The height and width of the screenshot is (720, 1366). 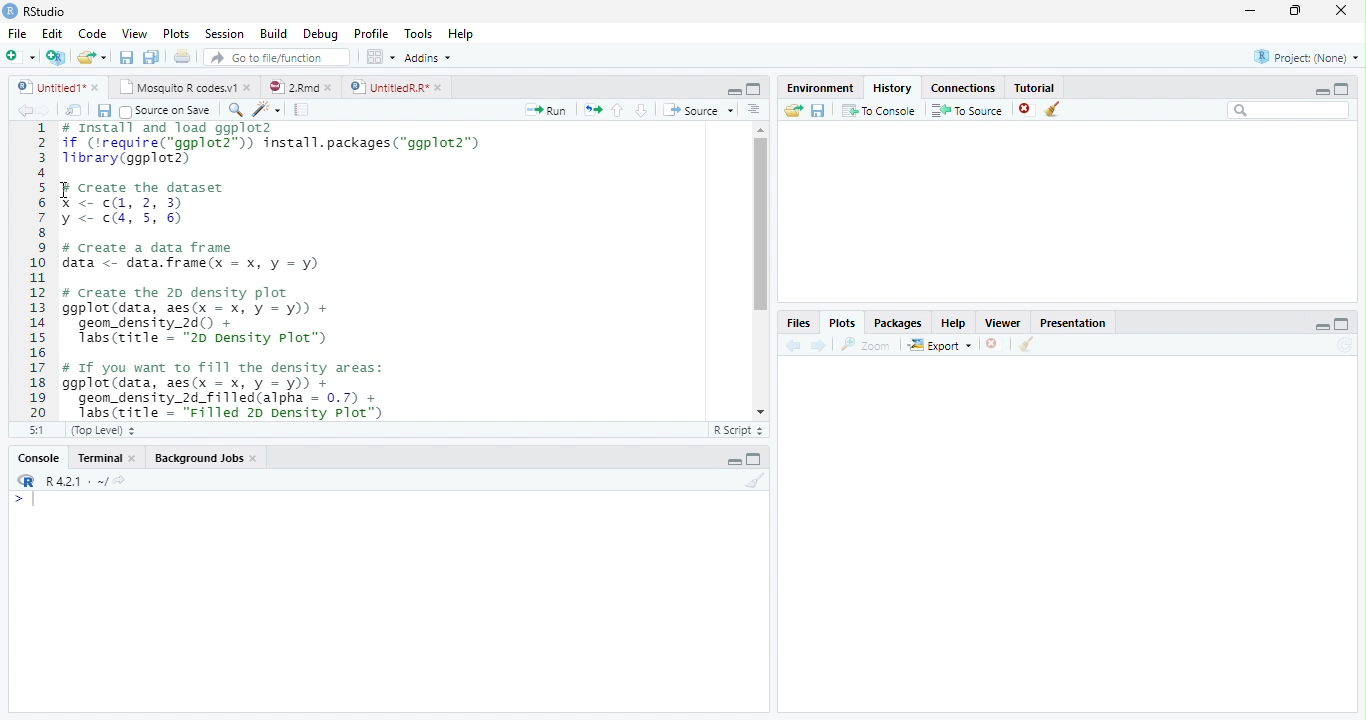 What do you see at coordinates (34, 12) in the screenshot?
I see `' RStudio` at bounding box center [34, 12].